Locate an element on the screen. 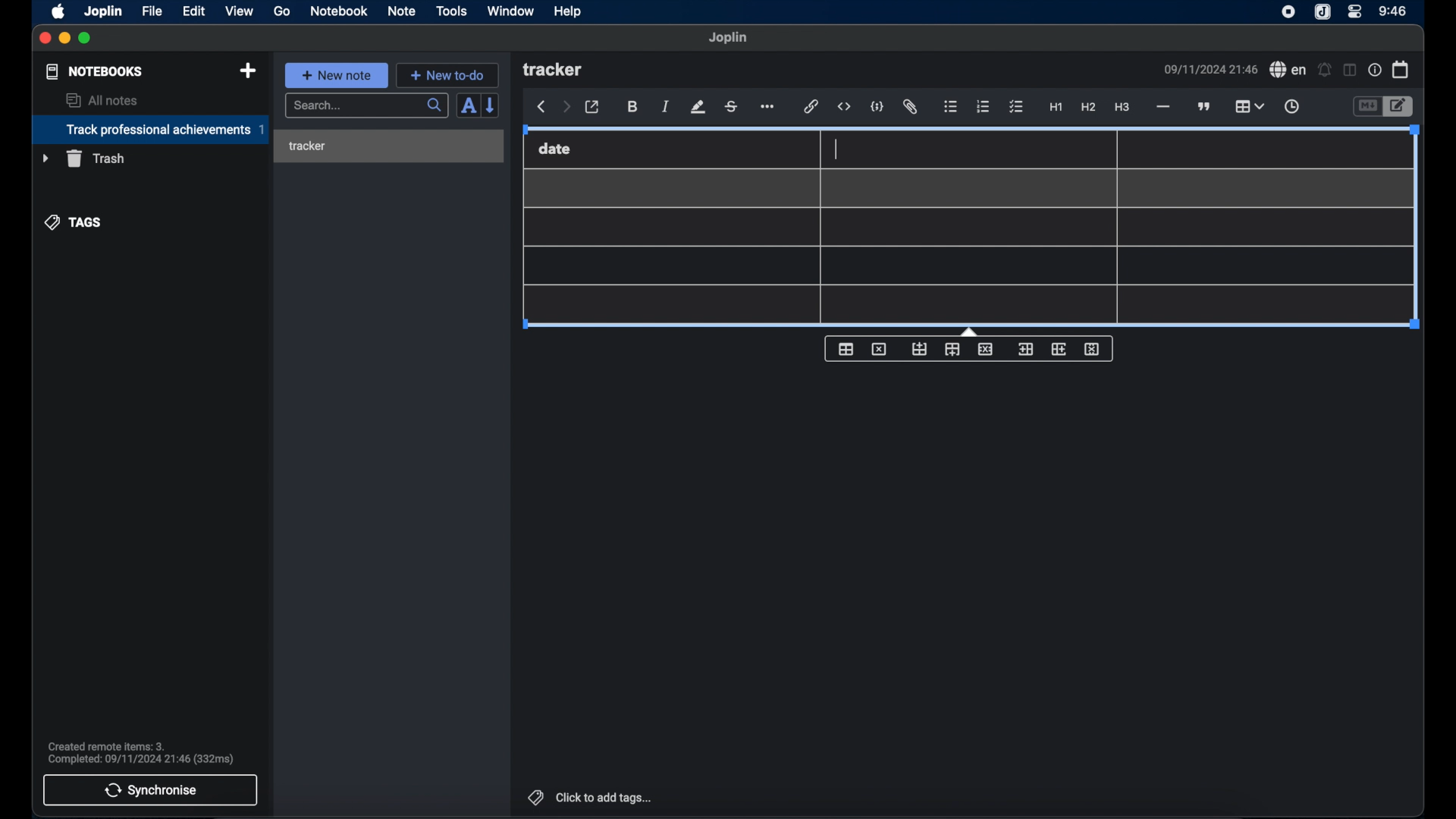 This screenshot has width=1456, height=819. table is located at coordinates (1249, 105).